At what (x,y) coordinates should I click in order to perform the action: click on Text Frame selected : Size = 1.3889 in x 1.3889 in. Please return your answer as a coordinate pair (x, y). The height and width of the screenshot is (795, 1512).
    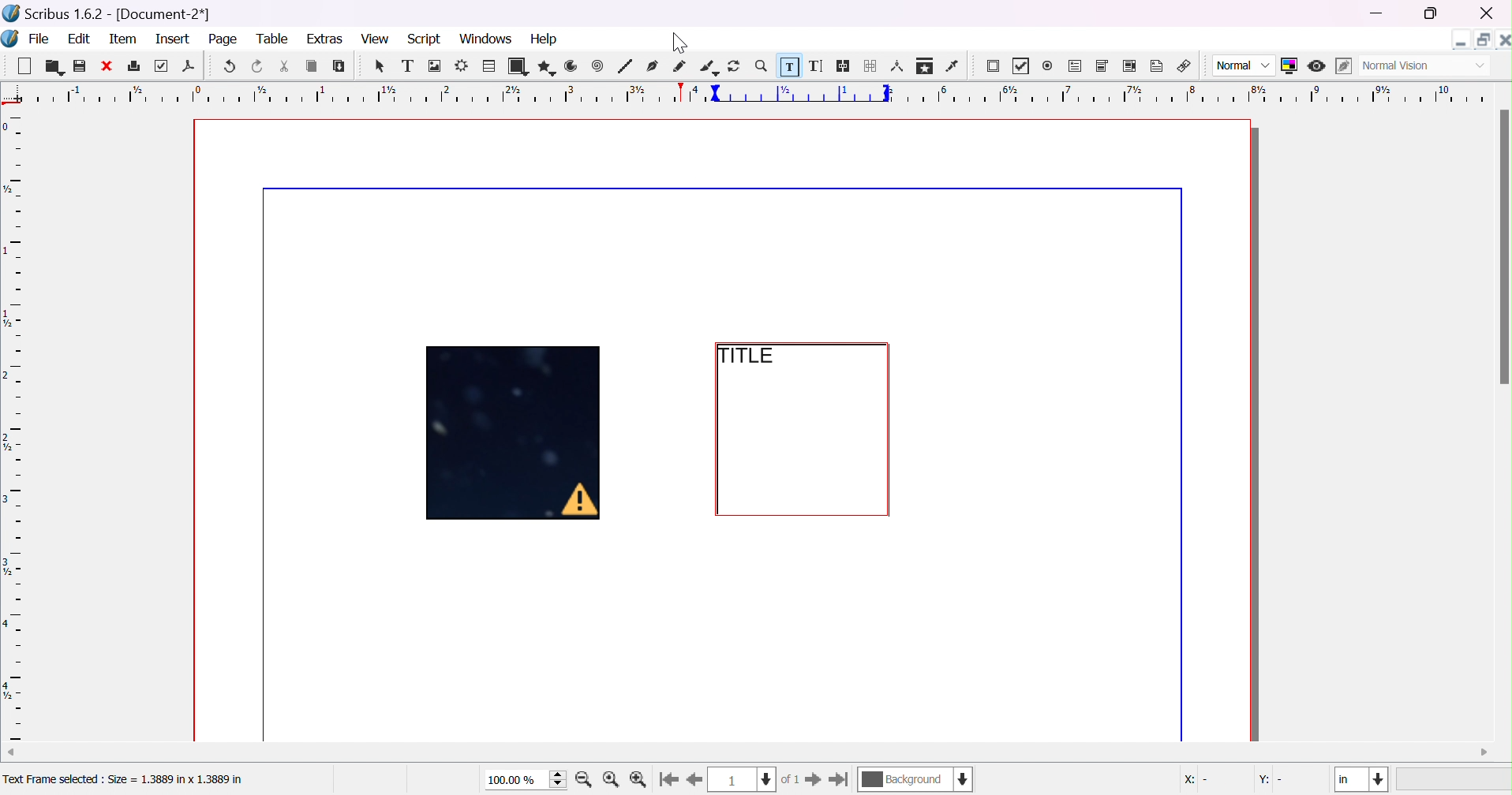
    Looking at the image, I should click on (124, 780).